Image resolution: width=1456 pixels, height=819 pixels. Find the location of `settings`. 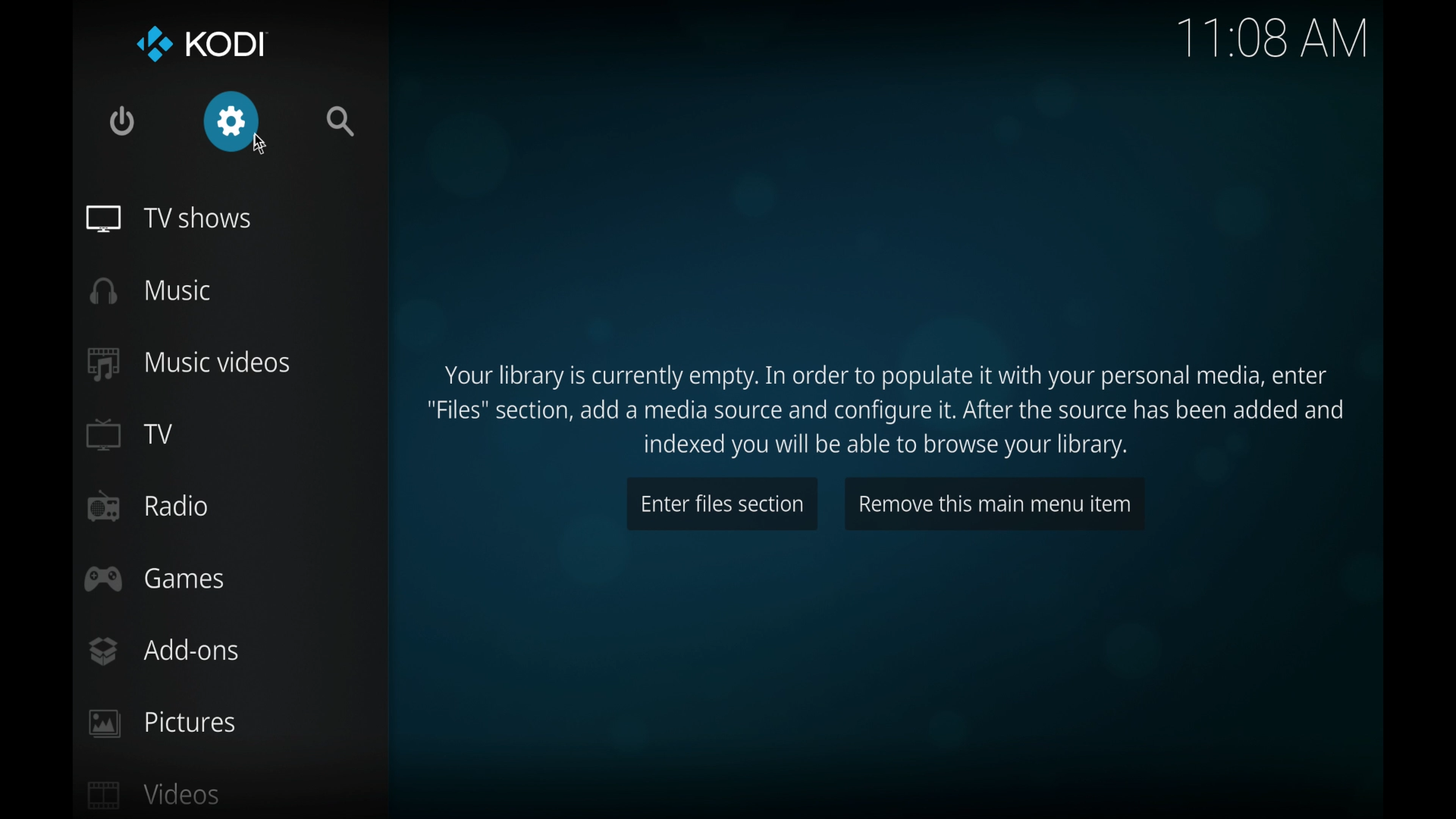

settings is located at coordinates (233, 122).